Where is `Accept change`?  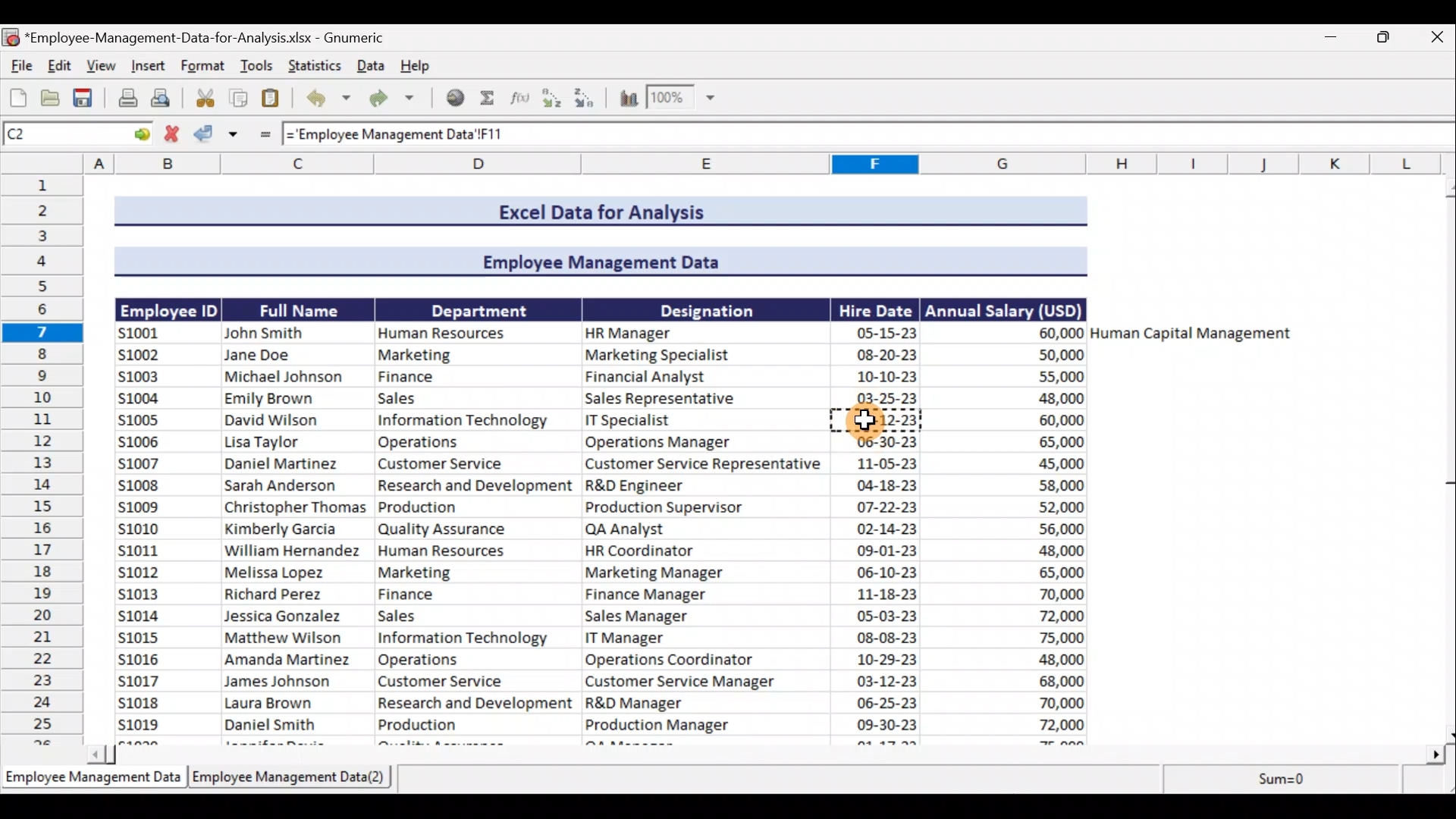
Accept change is located at coordinates (216, 137).